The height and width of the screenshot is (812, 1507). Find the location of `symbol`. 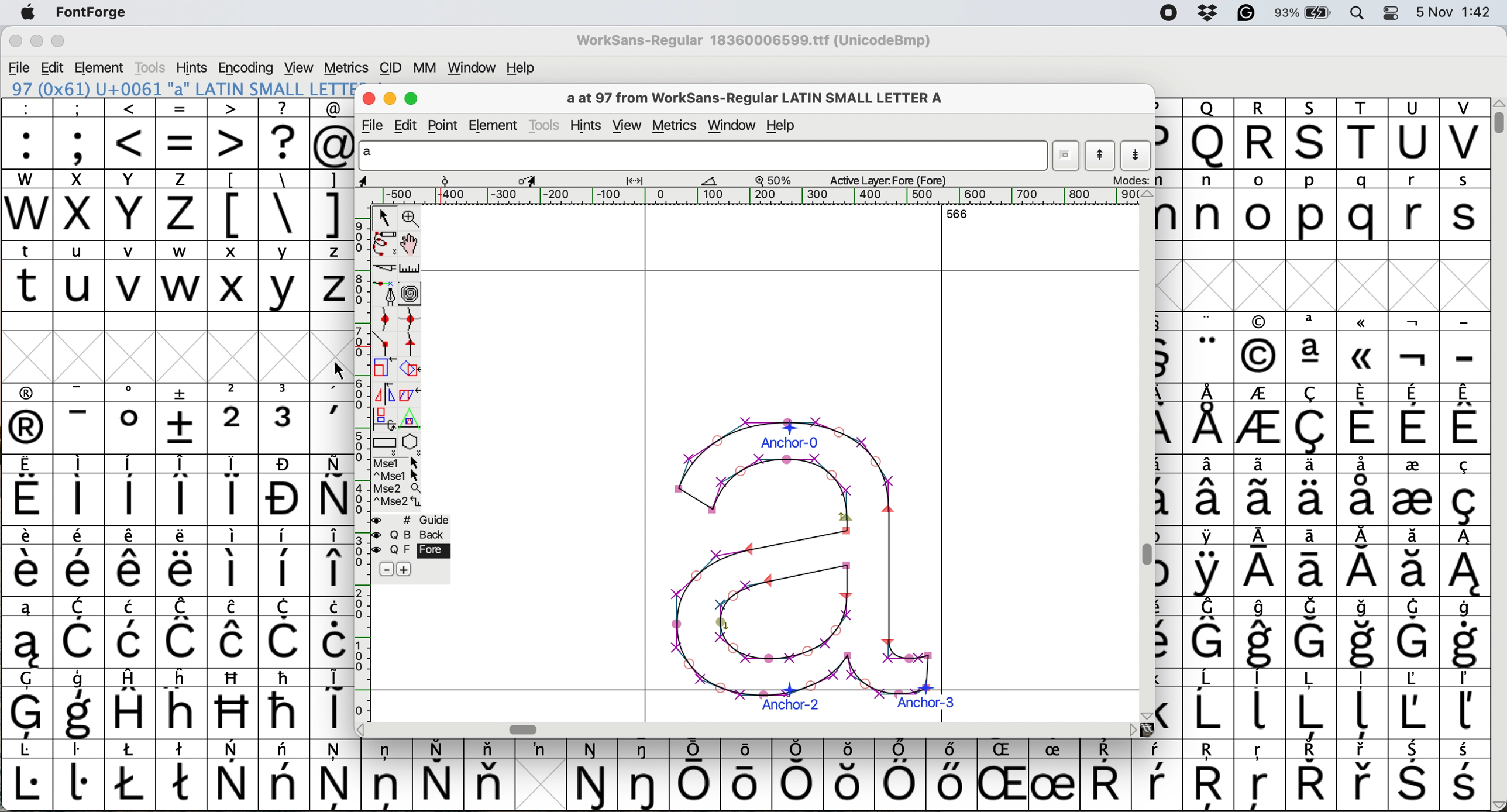

symbol is located at coordinates (133, 632).